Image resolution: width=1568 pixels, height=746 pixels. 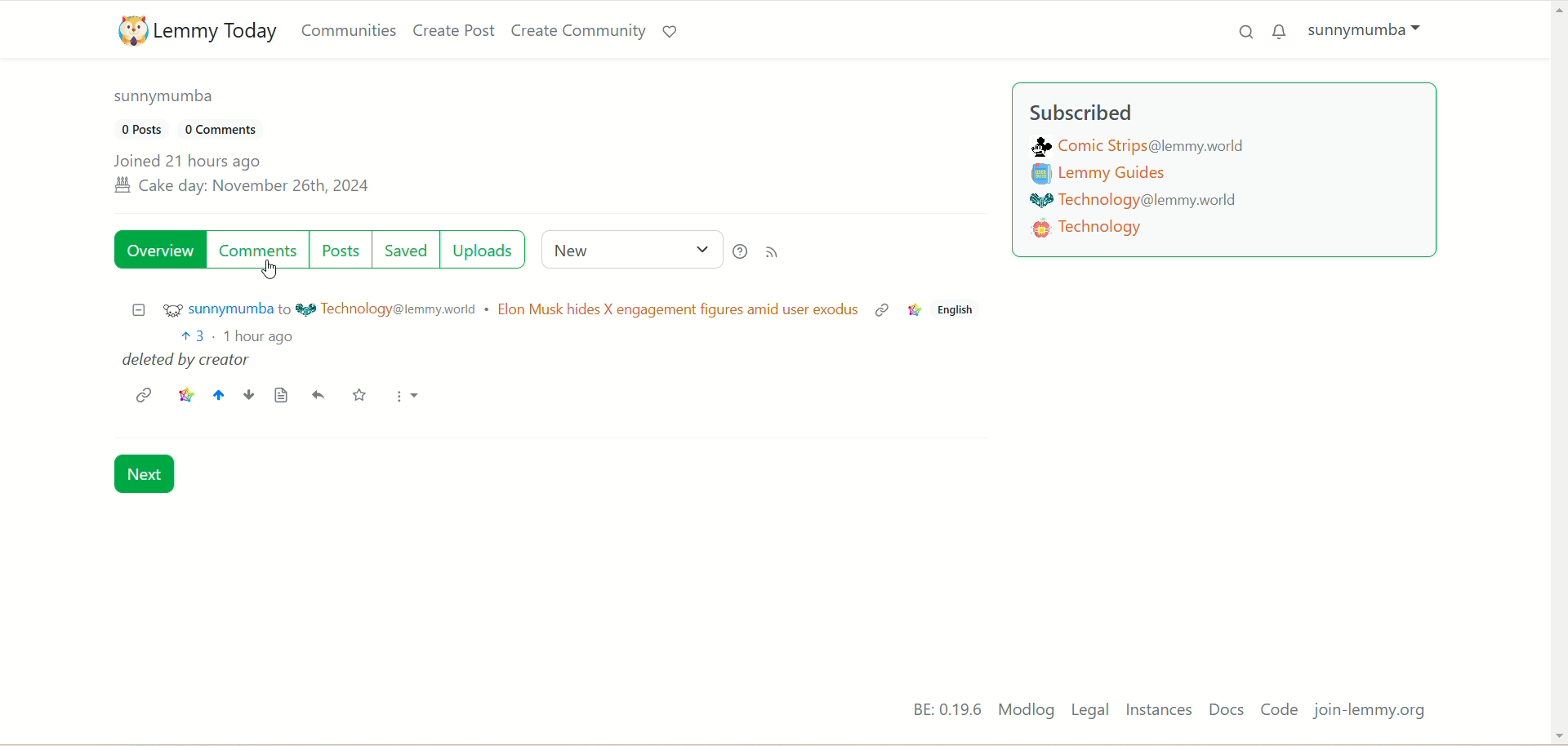 I want to click on RSS, so click(x=777, y=253).